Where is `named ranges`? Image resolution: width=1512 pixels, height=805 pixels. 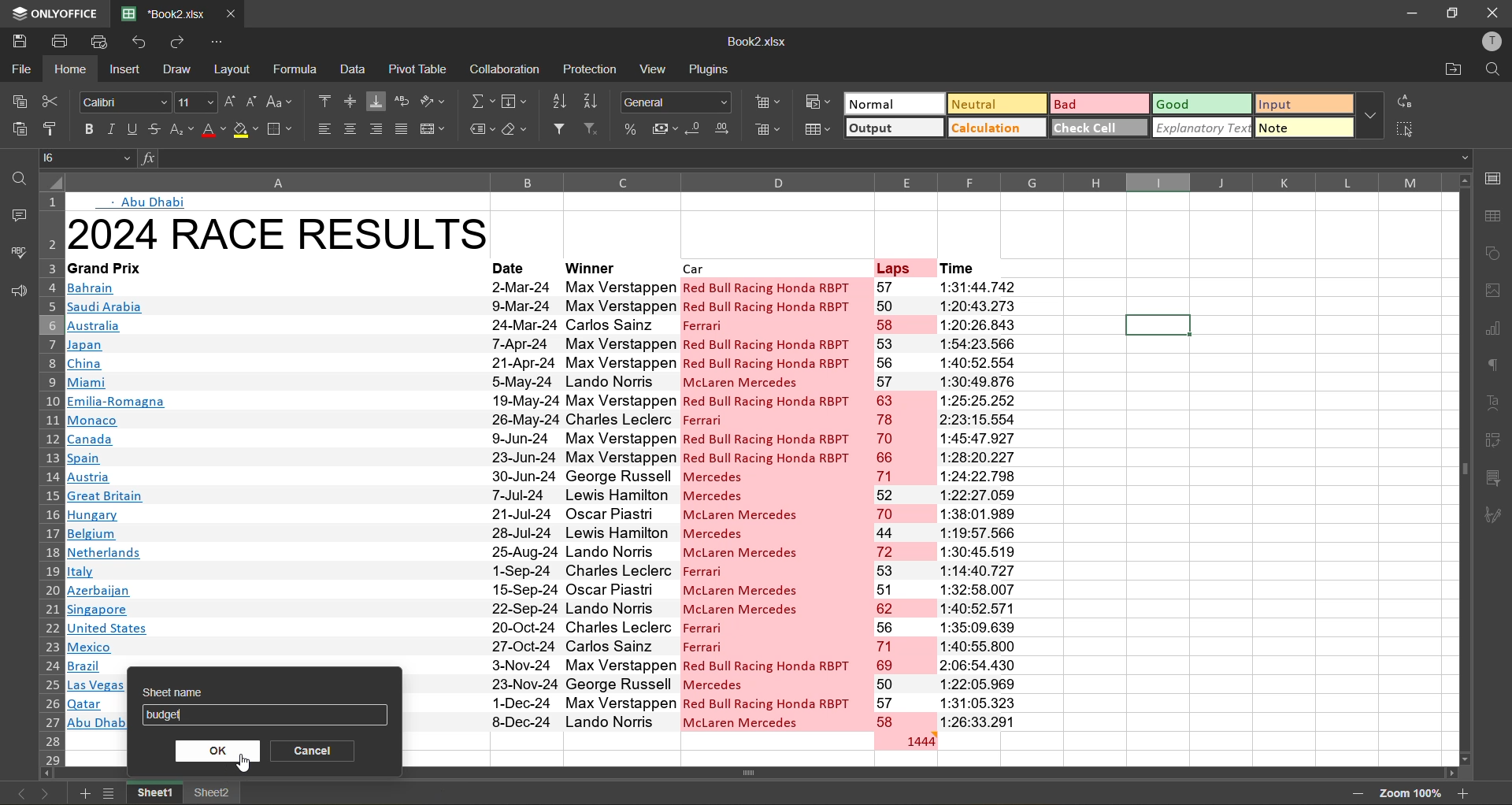
named ranges is located at coordinates (478, 132).